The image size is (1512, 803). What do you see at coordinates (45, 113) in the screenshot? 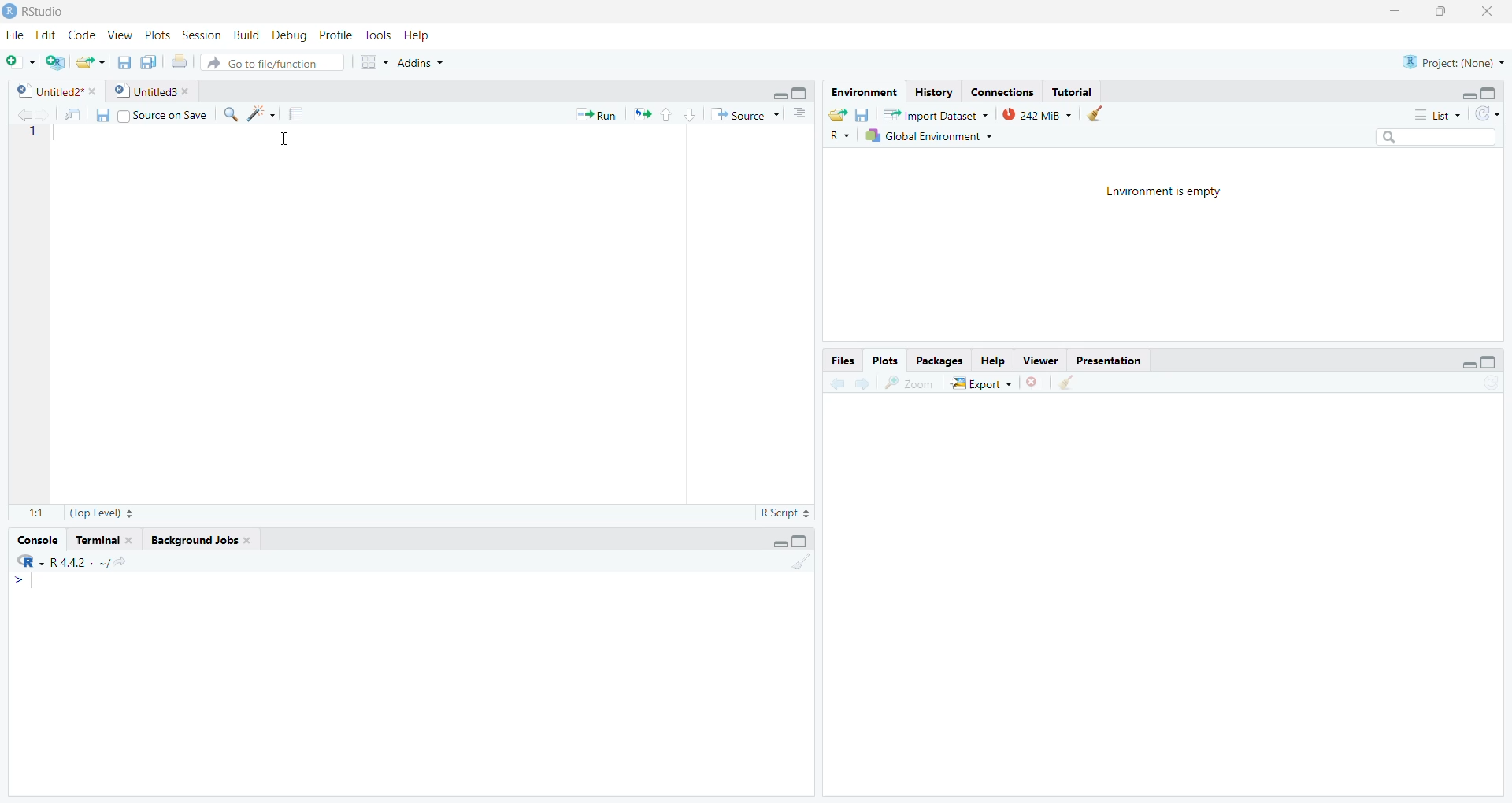
I see `move forward` at bounding box center [45, 113].